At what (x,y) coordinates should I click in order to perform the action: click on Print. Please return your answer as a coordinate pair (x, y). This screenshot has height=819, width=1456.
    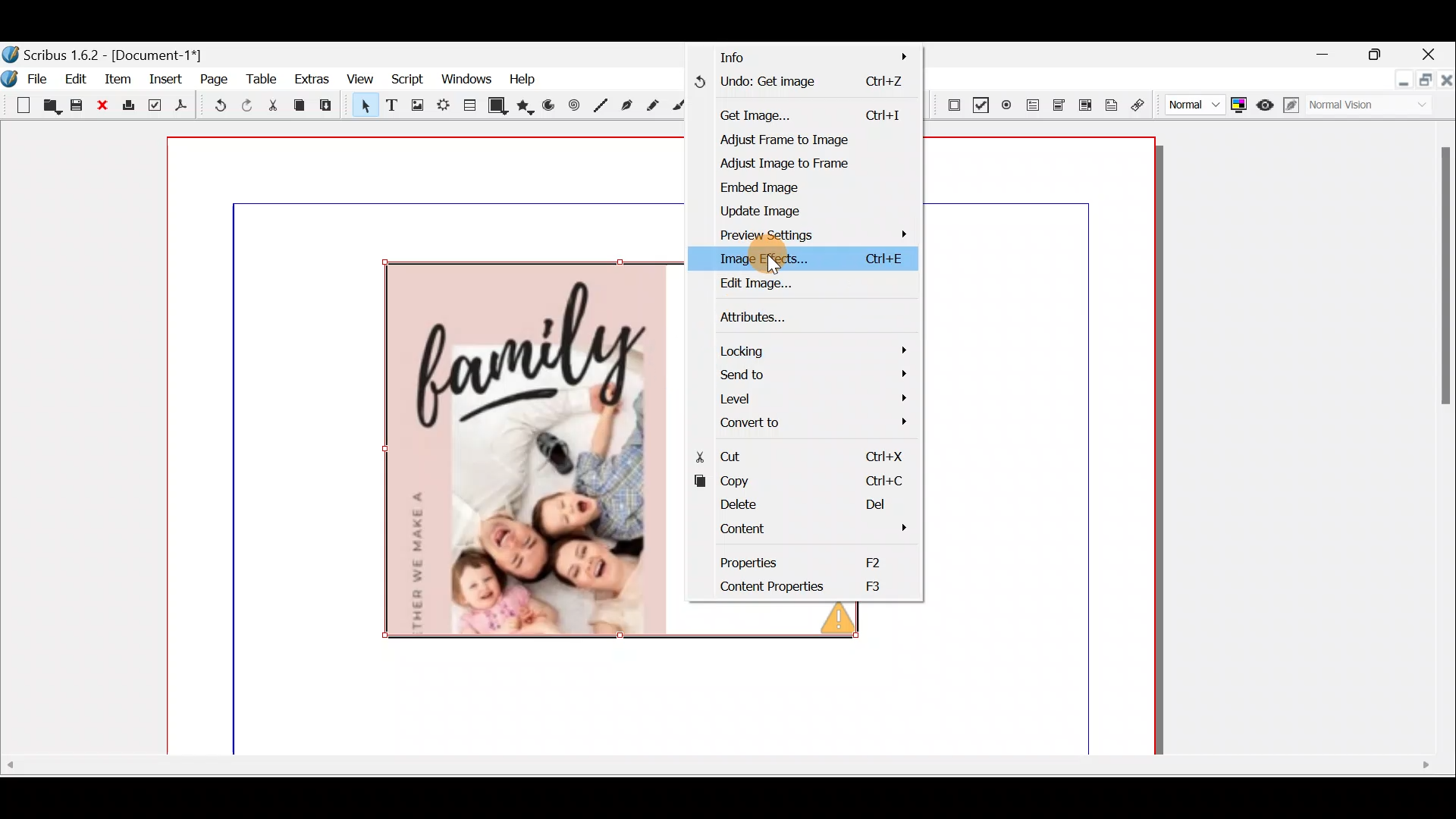
    Looking at the image, I should click on (127, 106).